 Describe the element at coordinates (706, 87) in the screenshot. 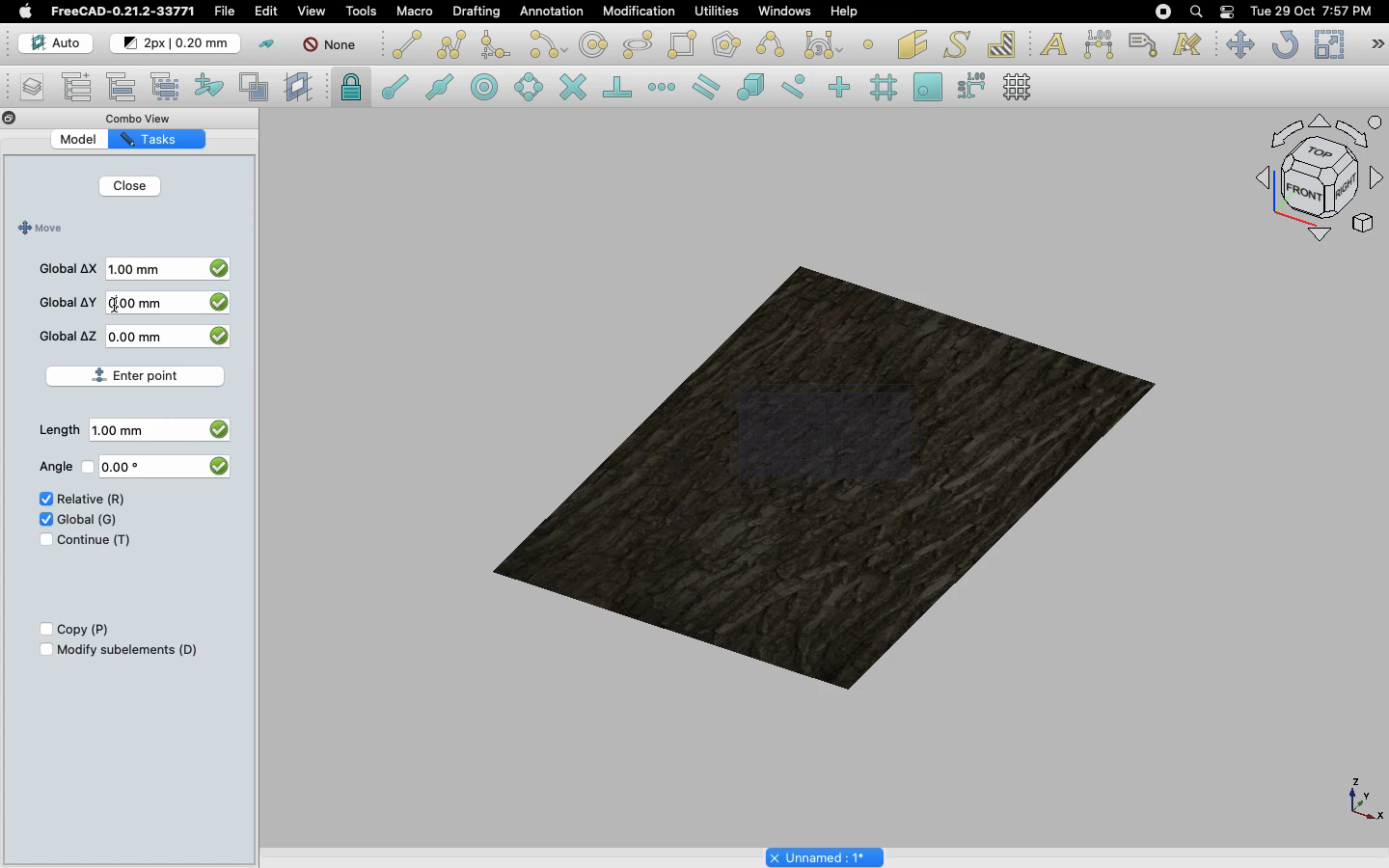

I see `Snap parallel` at that location.